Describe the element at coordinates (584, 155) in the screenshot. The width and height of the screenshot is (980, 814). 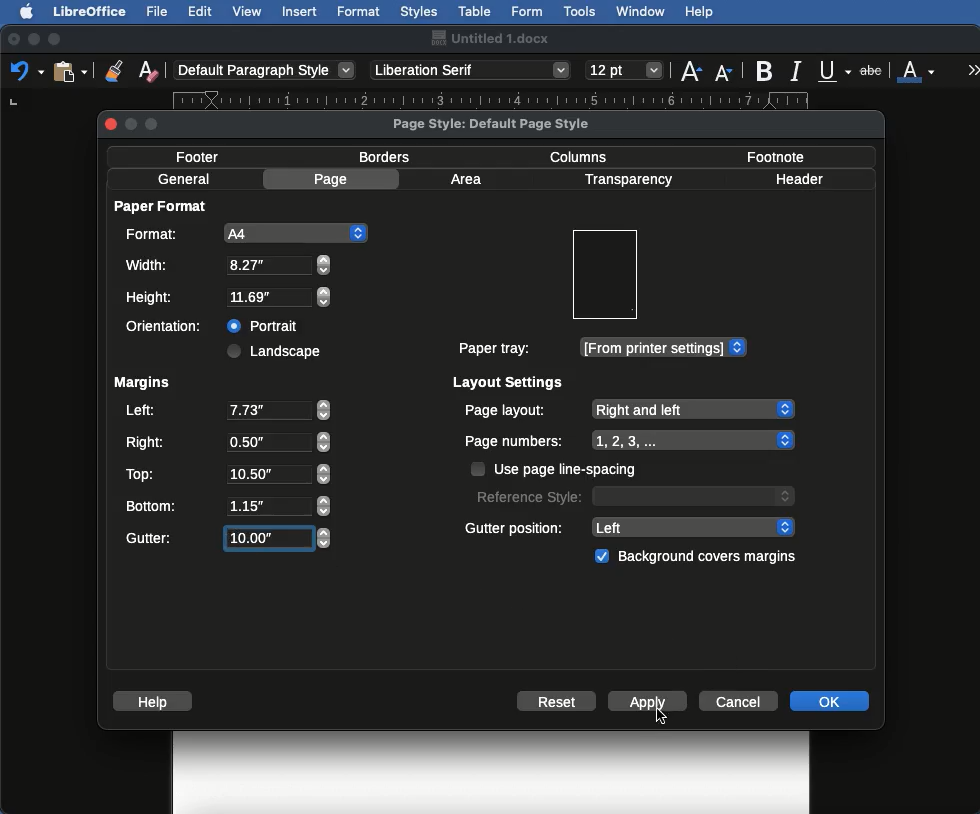
I see `Columns` at that location.